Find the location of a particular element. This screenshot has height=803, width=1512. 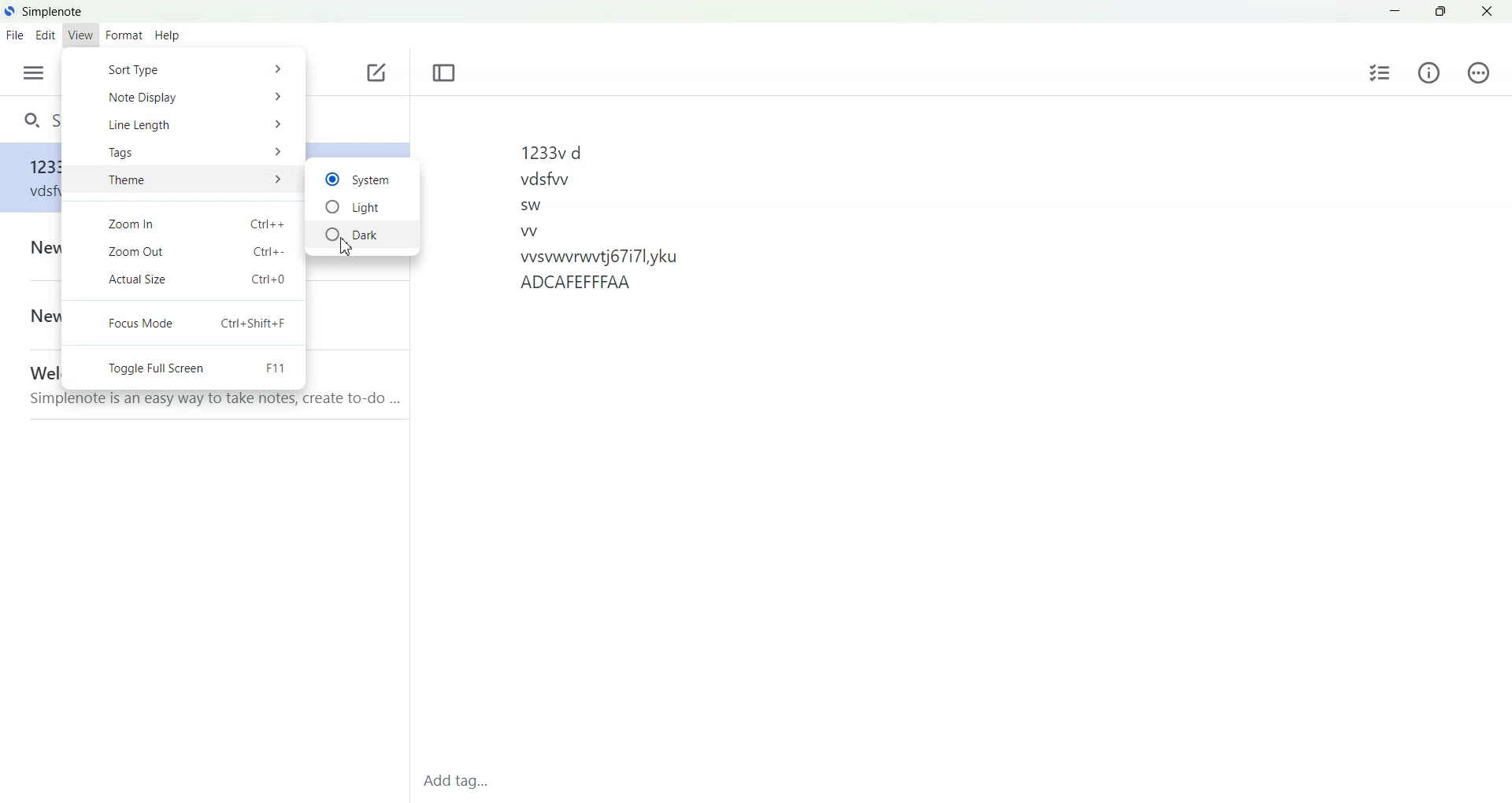

Sort Type is located at coordinates (184, 70).